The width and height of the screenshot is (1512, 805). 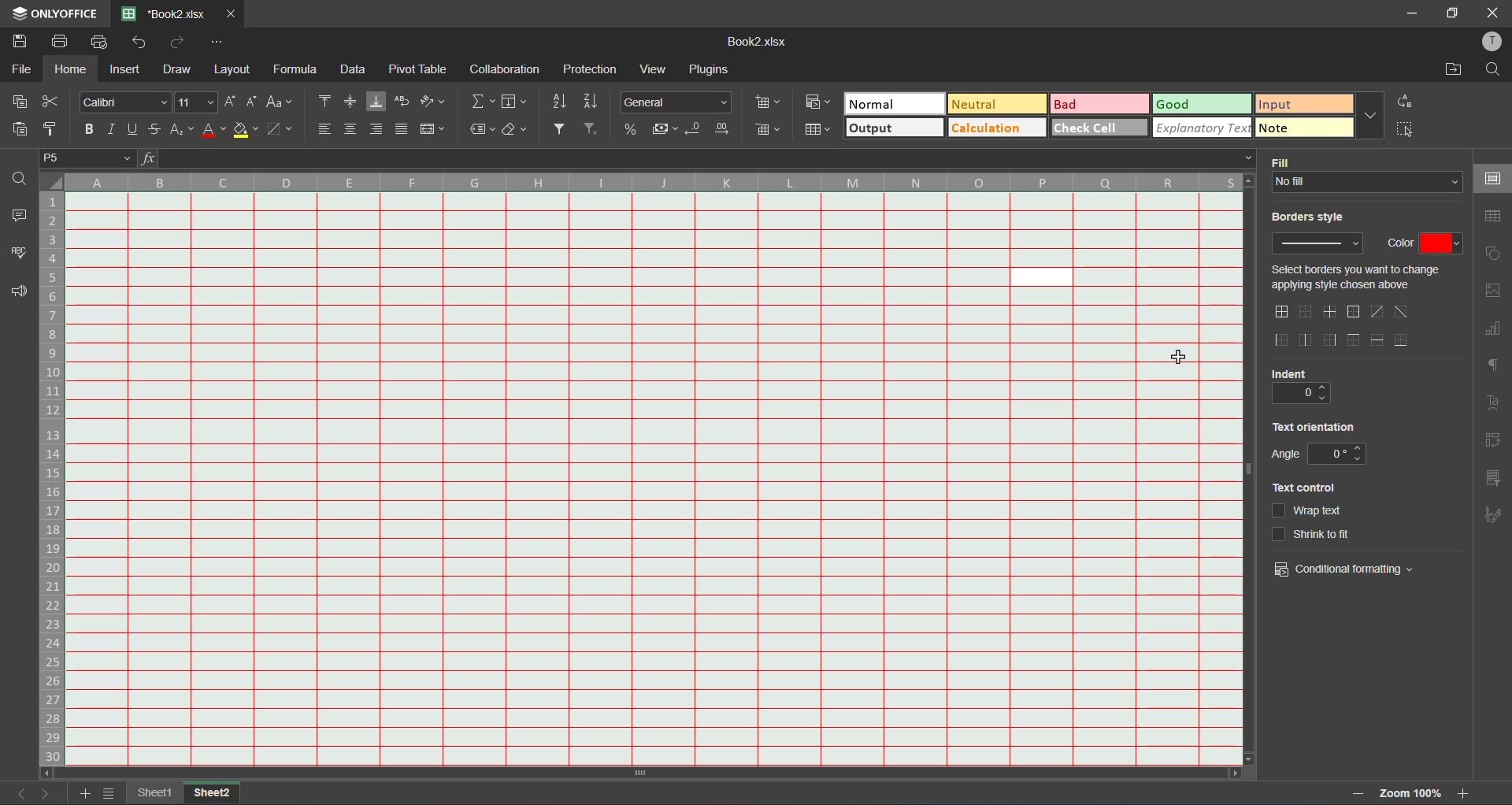 What do you see at coordinates (512, 101) in the screenshot?
I see `fields` at bounding box center [512, 101].